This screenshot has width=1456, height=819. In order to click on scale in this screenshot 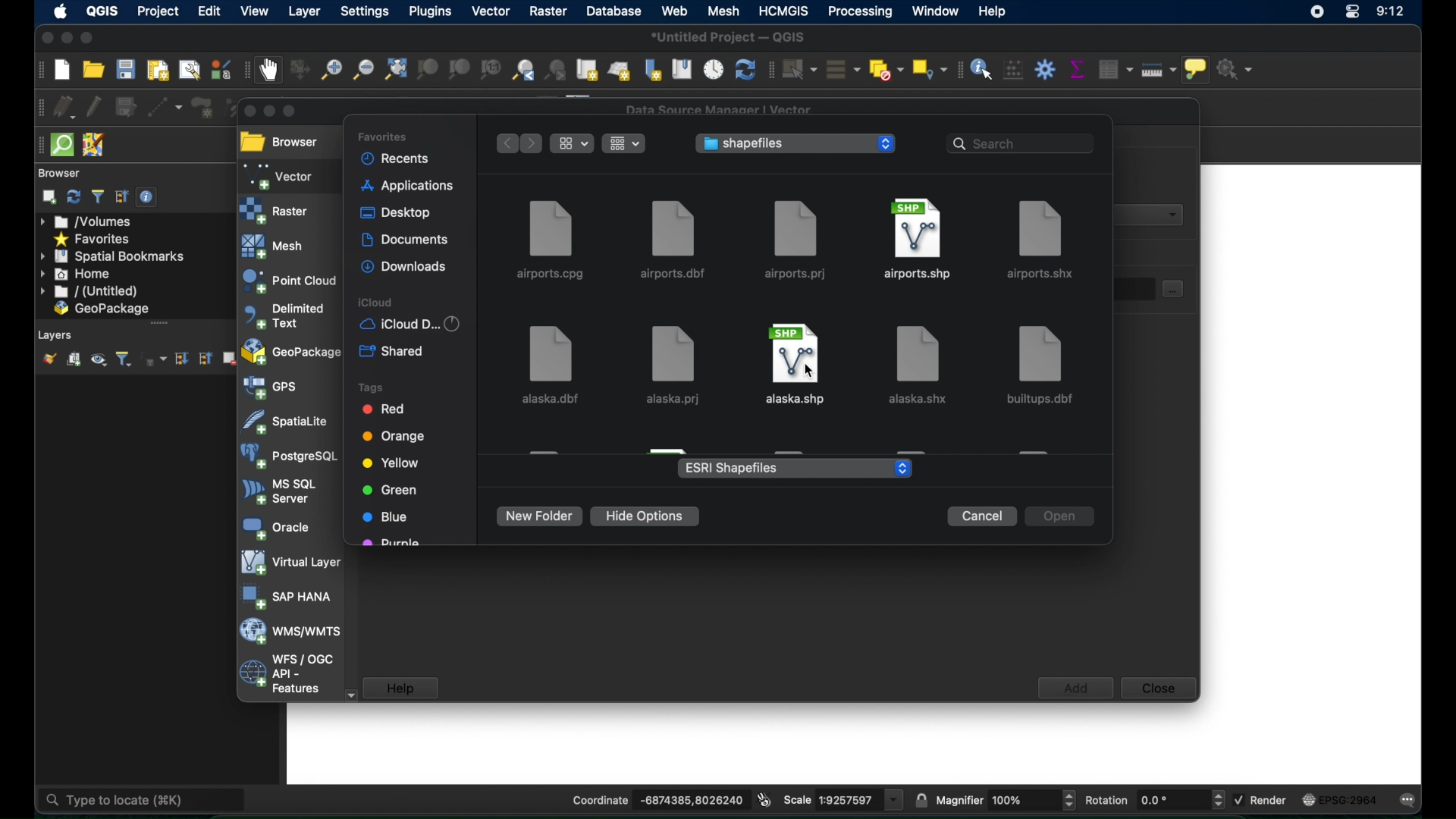, I will do `click(843, 799)`.